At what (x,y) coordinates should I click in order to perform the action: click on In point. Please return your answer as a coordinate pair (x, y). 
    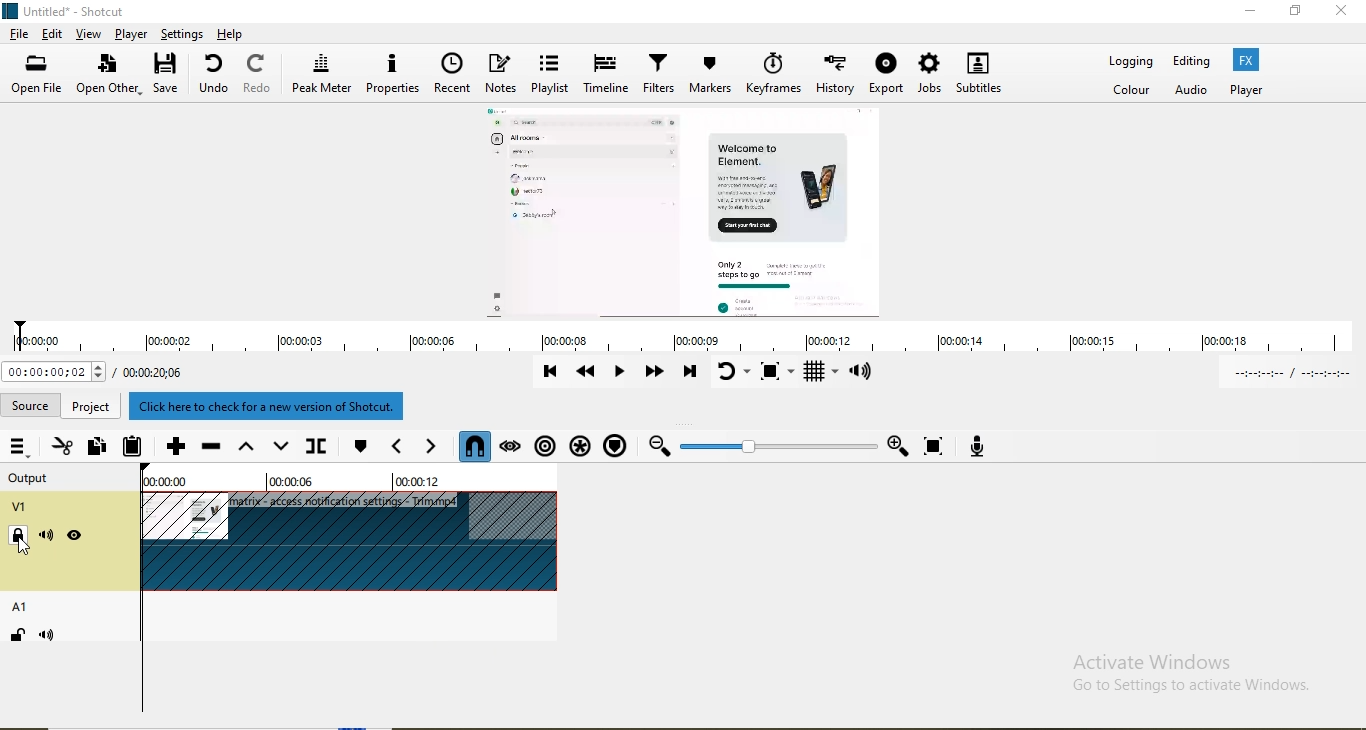
    Looking at the image, I should click on (1296, 376).